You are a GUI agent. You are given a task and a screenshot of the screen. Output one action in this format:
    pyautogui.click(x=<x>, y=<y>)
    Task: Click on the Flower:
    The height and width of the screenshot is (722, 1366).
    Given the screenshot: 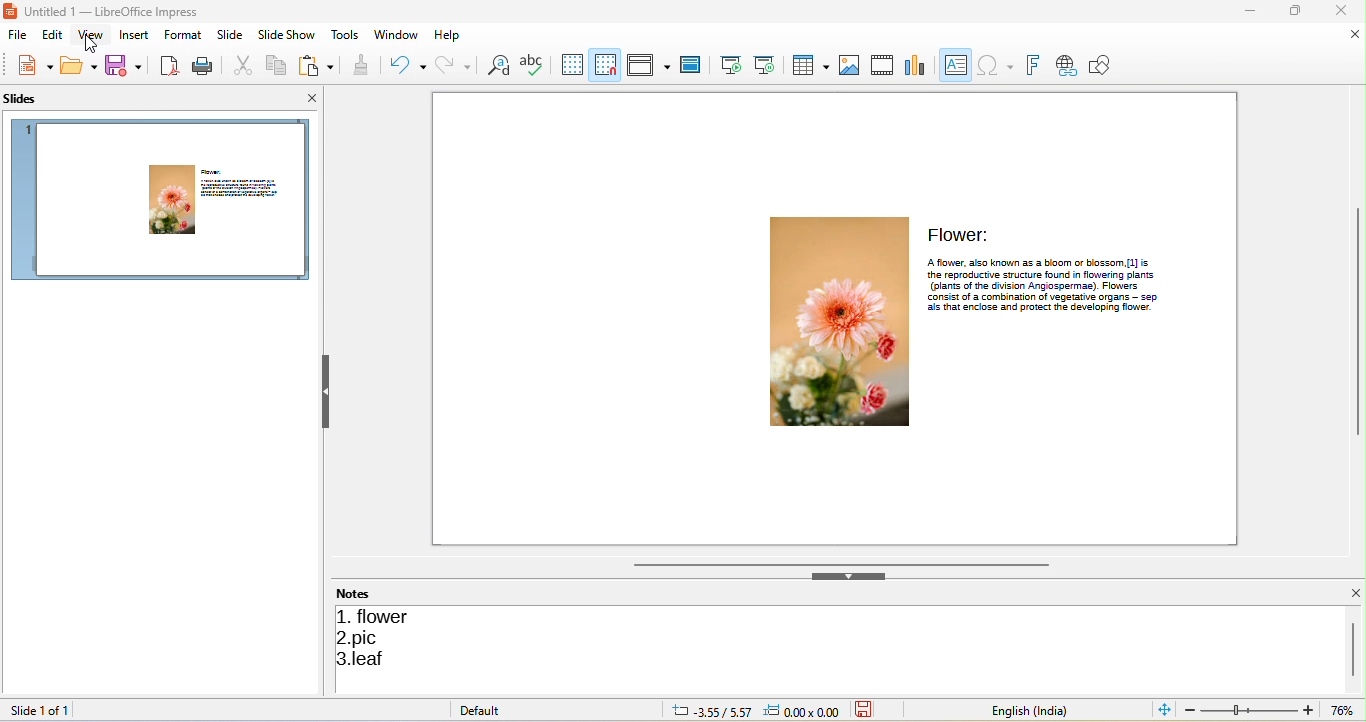 What is the action you would take?
    pyautogui.click(x=963, y=233)
    